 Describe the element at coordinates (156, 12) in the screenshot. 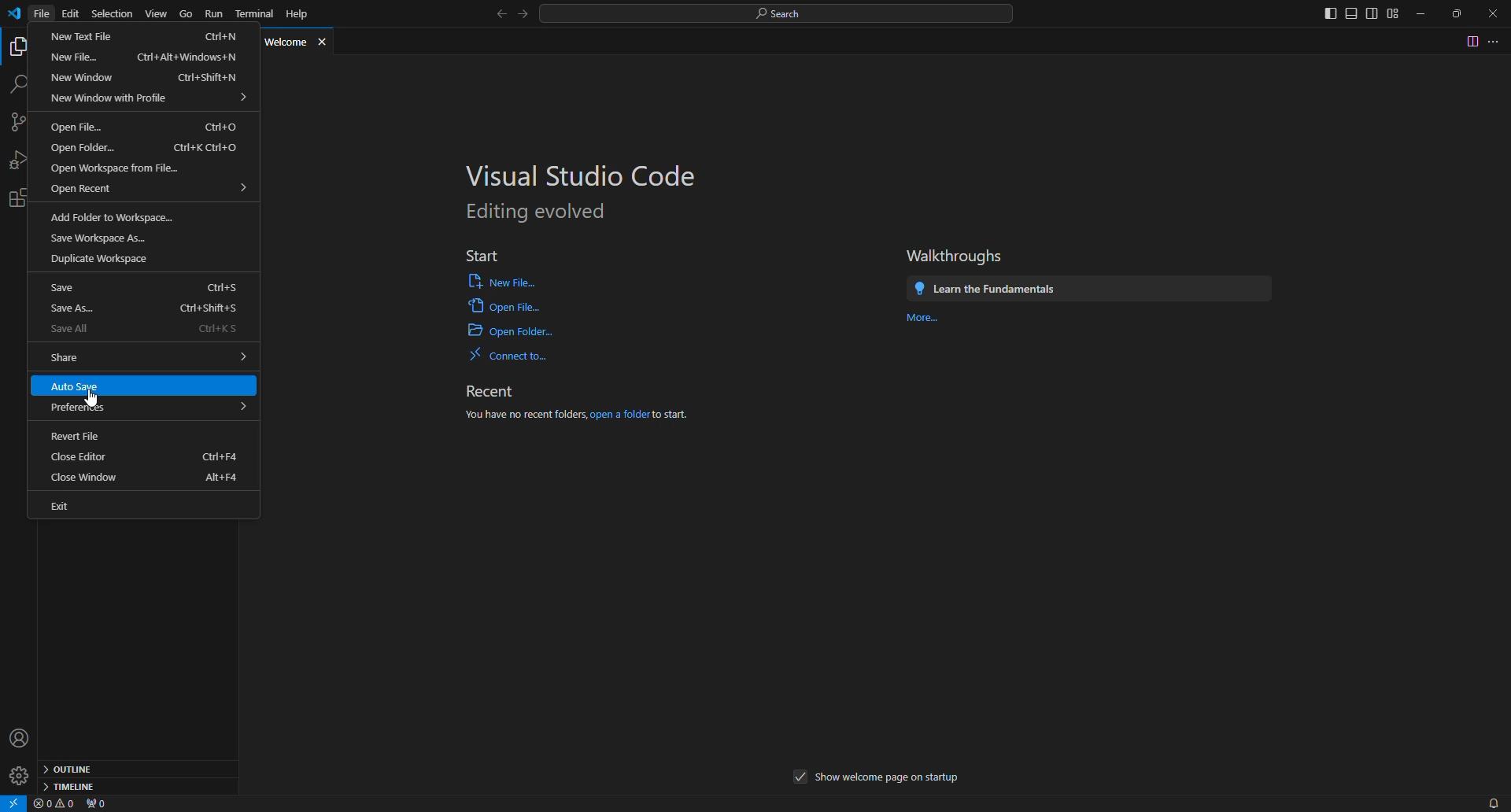

I see `view` at that location.